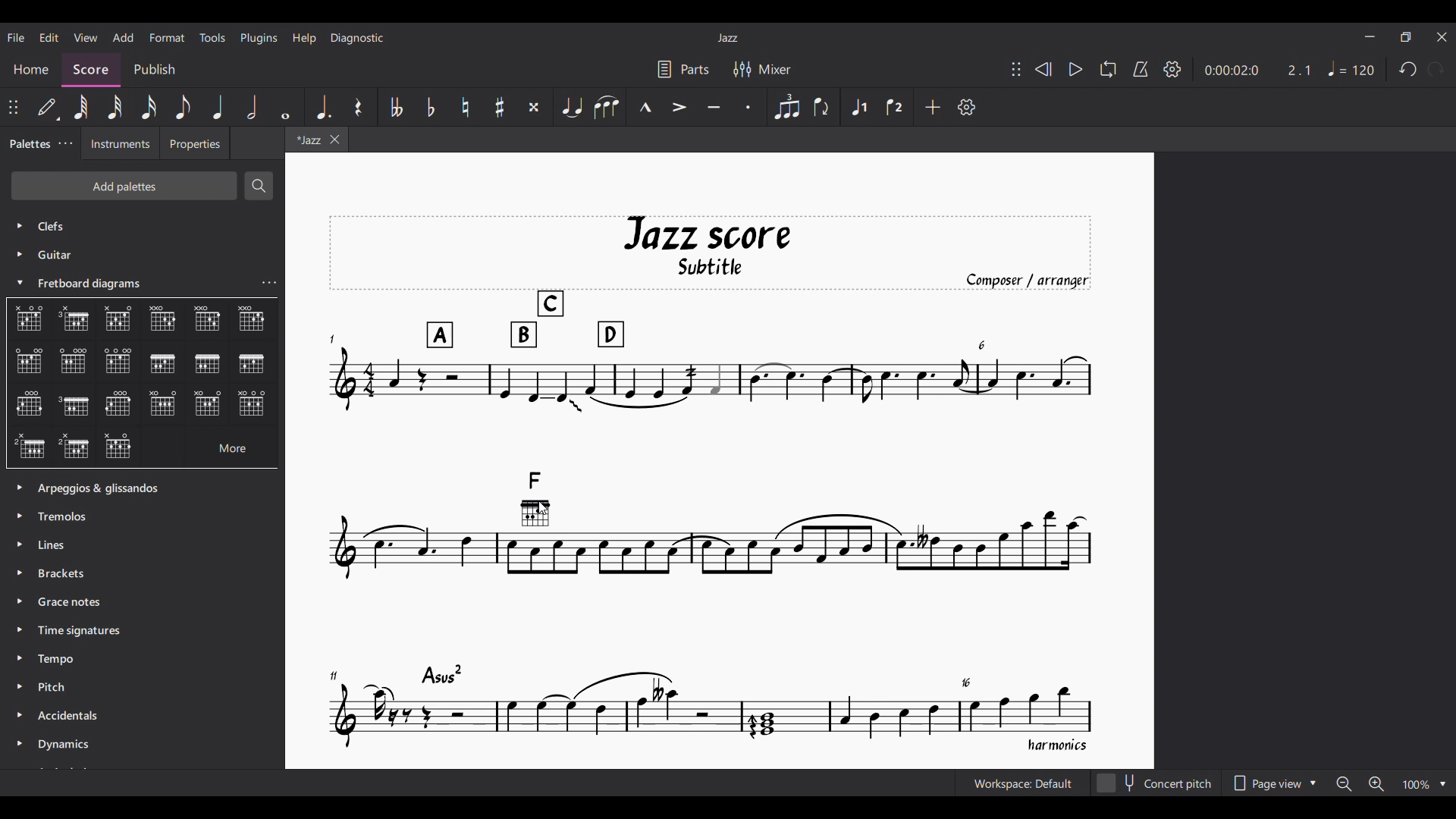 This screenshot has height=819, width=1456. What do you see at coordinates (1272, 783) in the screenshot?
I see `Page view options` at bounding box center [1272, 783].